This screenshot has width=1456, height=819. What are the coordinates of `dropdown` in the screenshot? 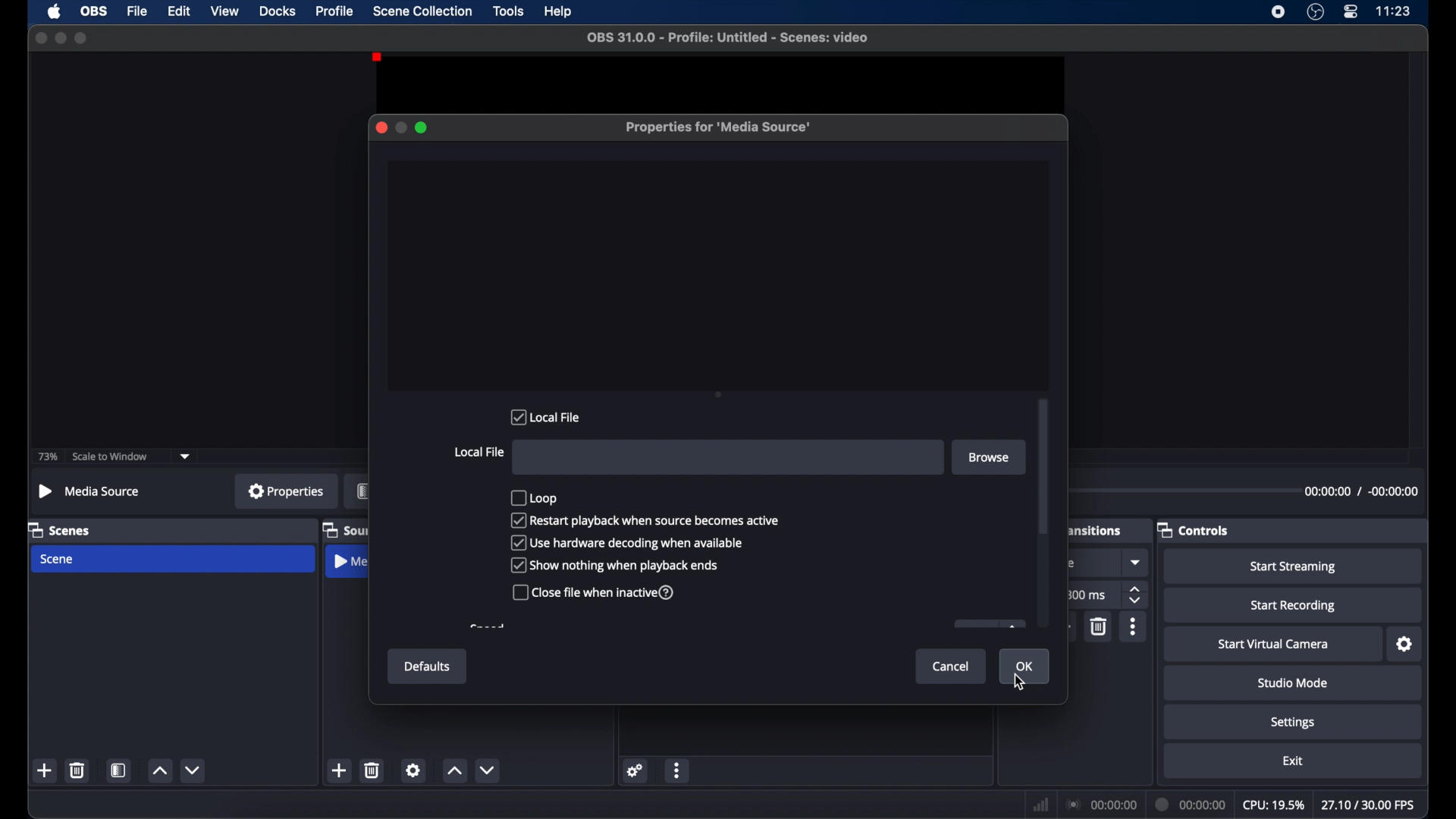 It's located at (1137, 562).